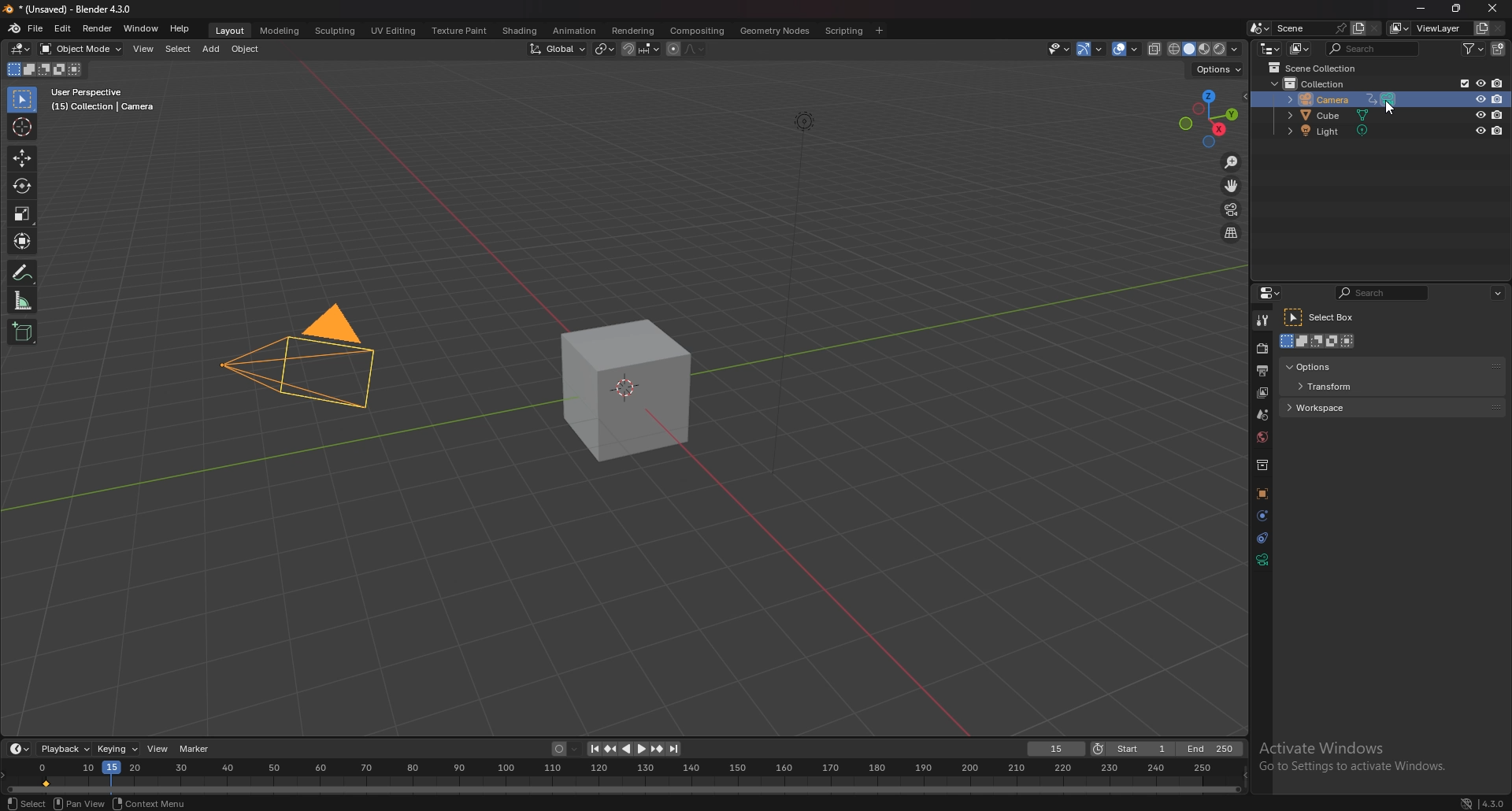  Describe the element at coordinates (1338, 98) in the screenshot. I see `camera` at that location.